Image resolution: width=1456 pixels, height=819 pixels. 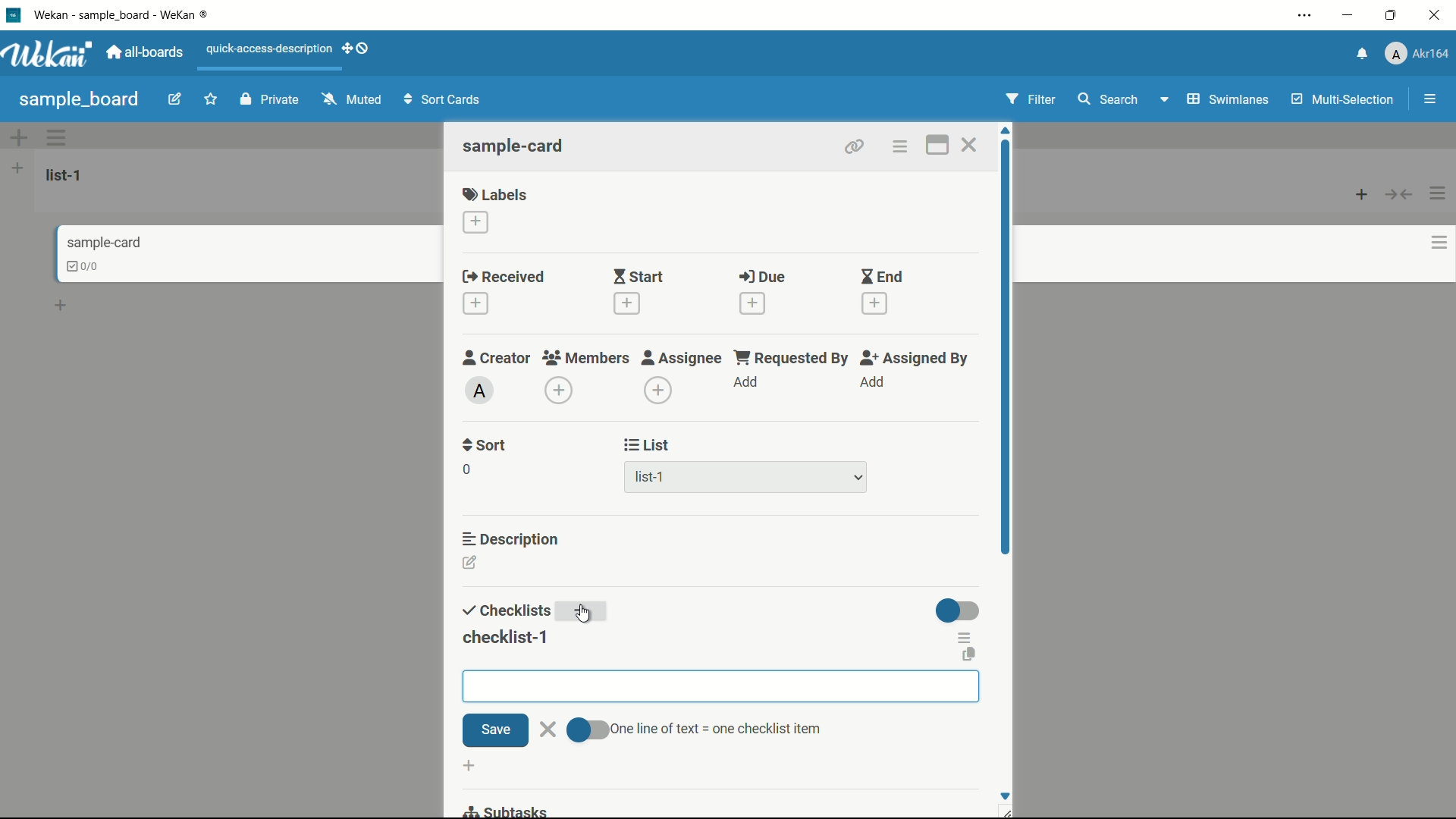 What do you see at coordinates (1417, 55) in the screenshot?
I see `profile` at bounding box center [1417, 55].